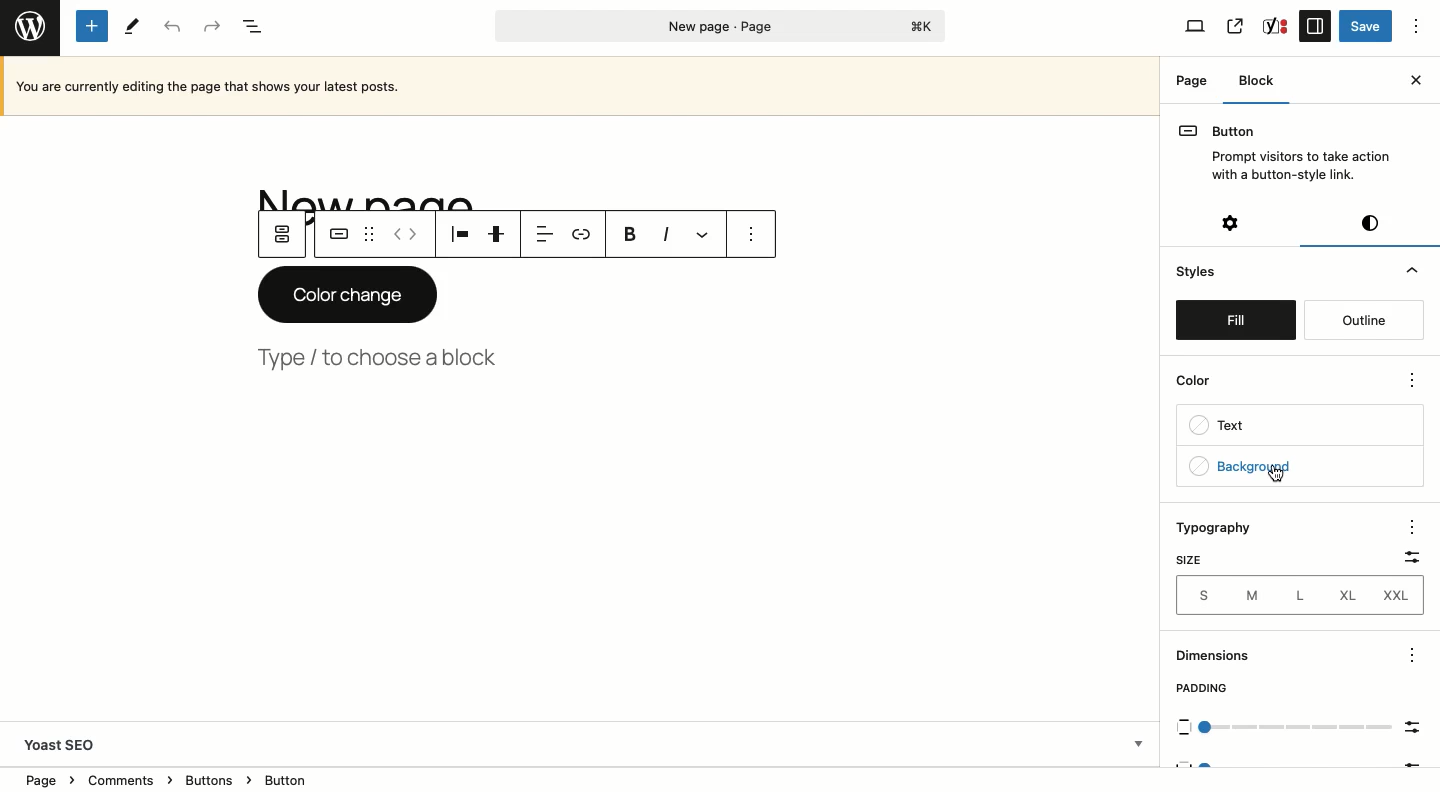 This screenshot has height=792, width=1440. I want to click on Padding, so click(1205, 687).